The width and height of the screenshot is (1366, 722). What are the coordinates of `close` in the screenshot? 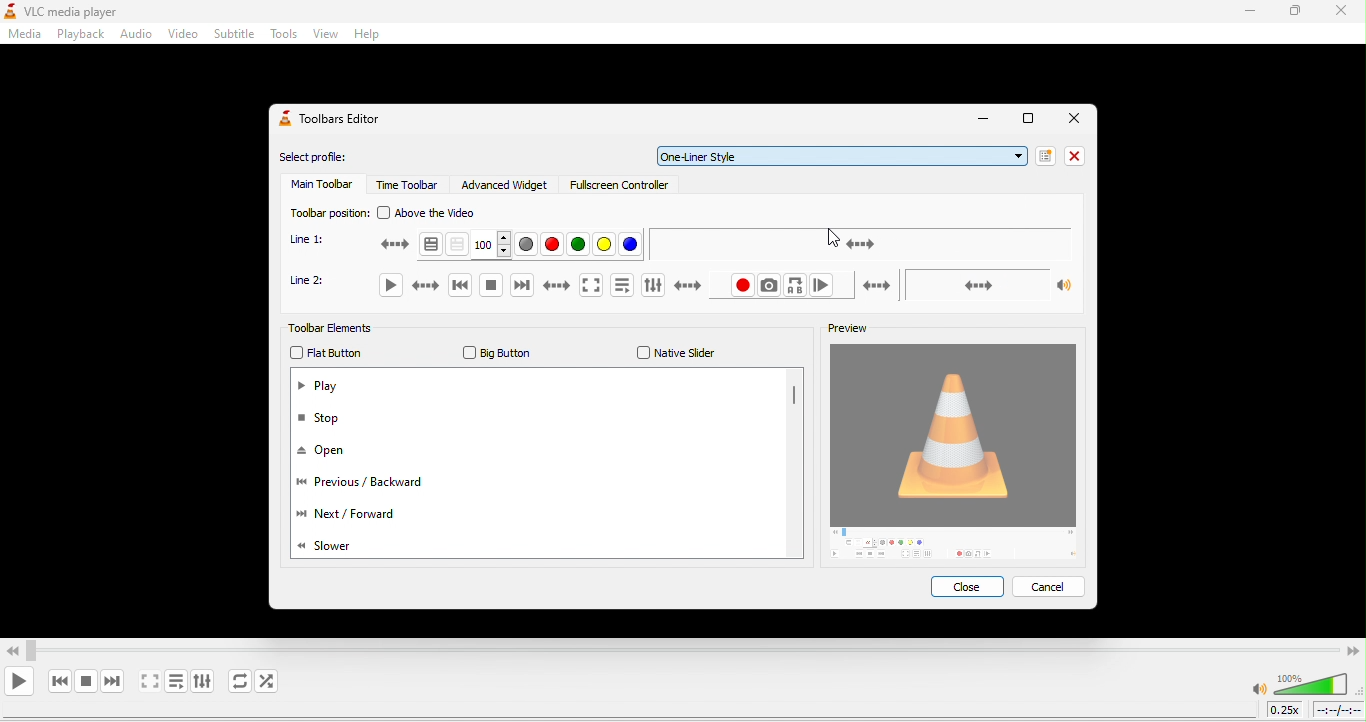 It's located at (1071, 119).